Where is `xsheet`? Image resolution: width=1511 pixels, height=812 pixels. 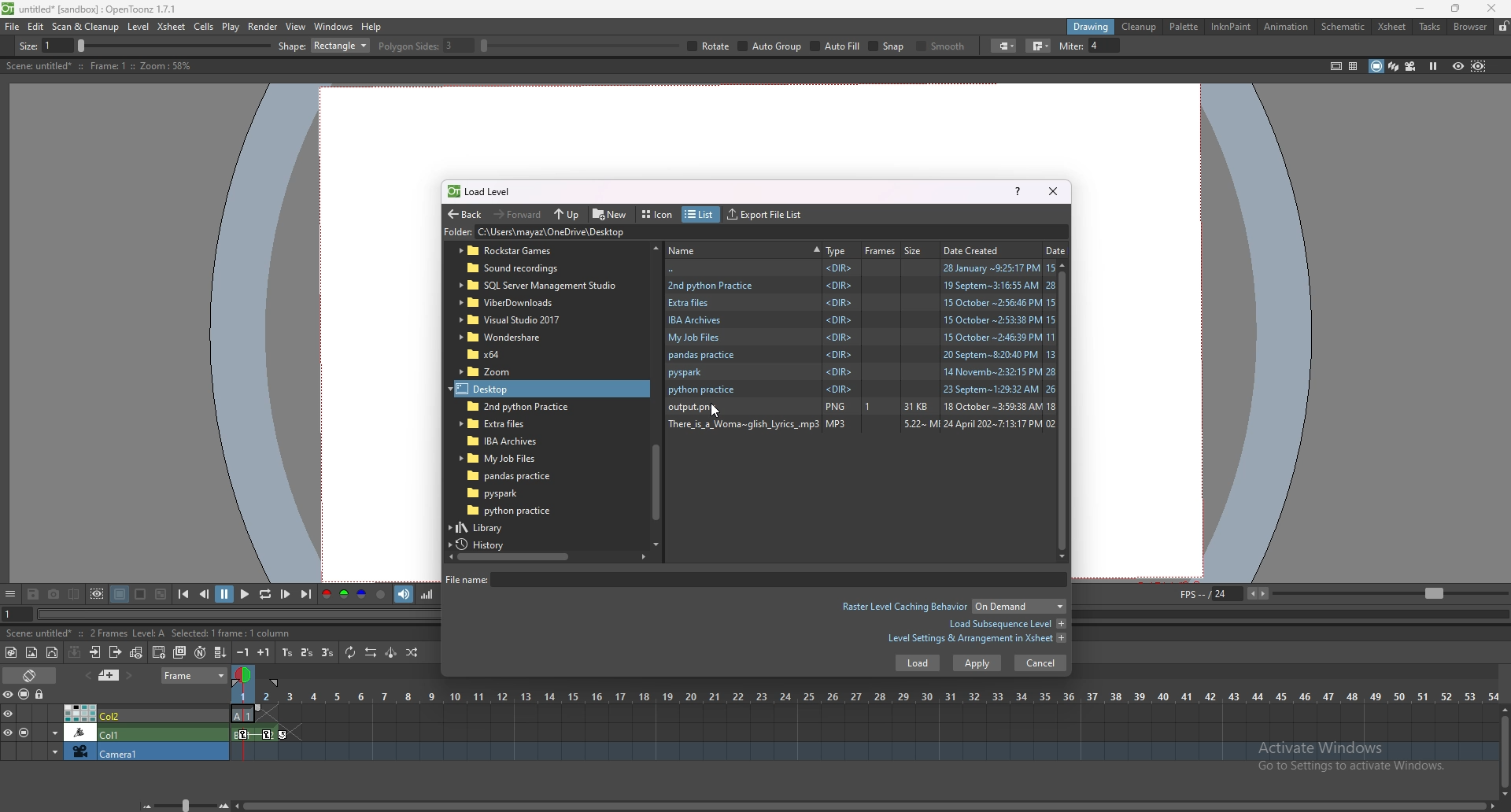 xsheet is located at coordinates (172, 26).